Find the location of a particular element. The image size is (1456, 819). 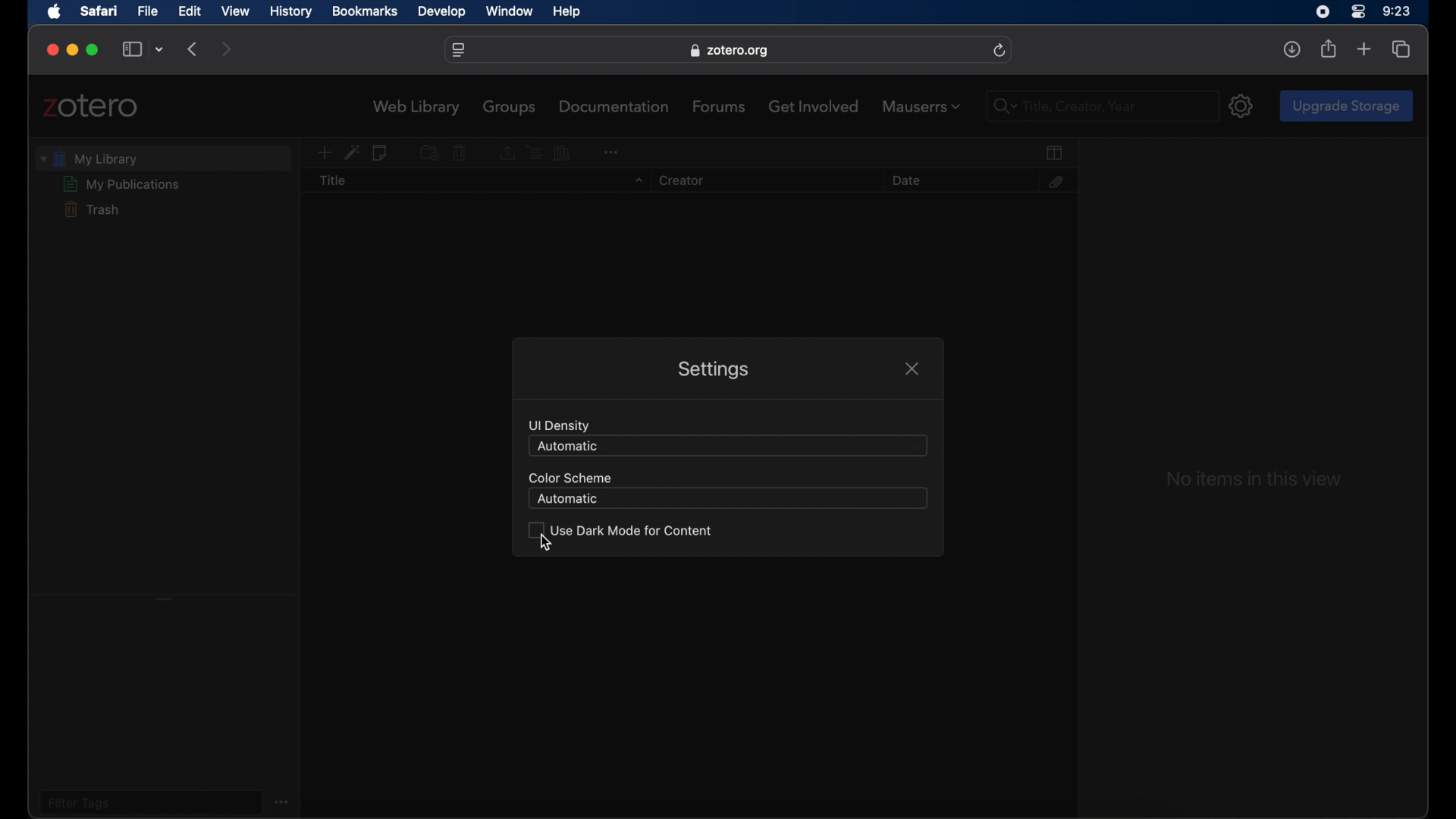

add to collection is located at coordinates (428, 152).